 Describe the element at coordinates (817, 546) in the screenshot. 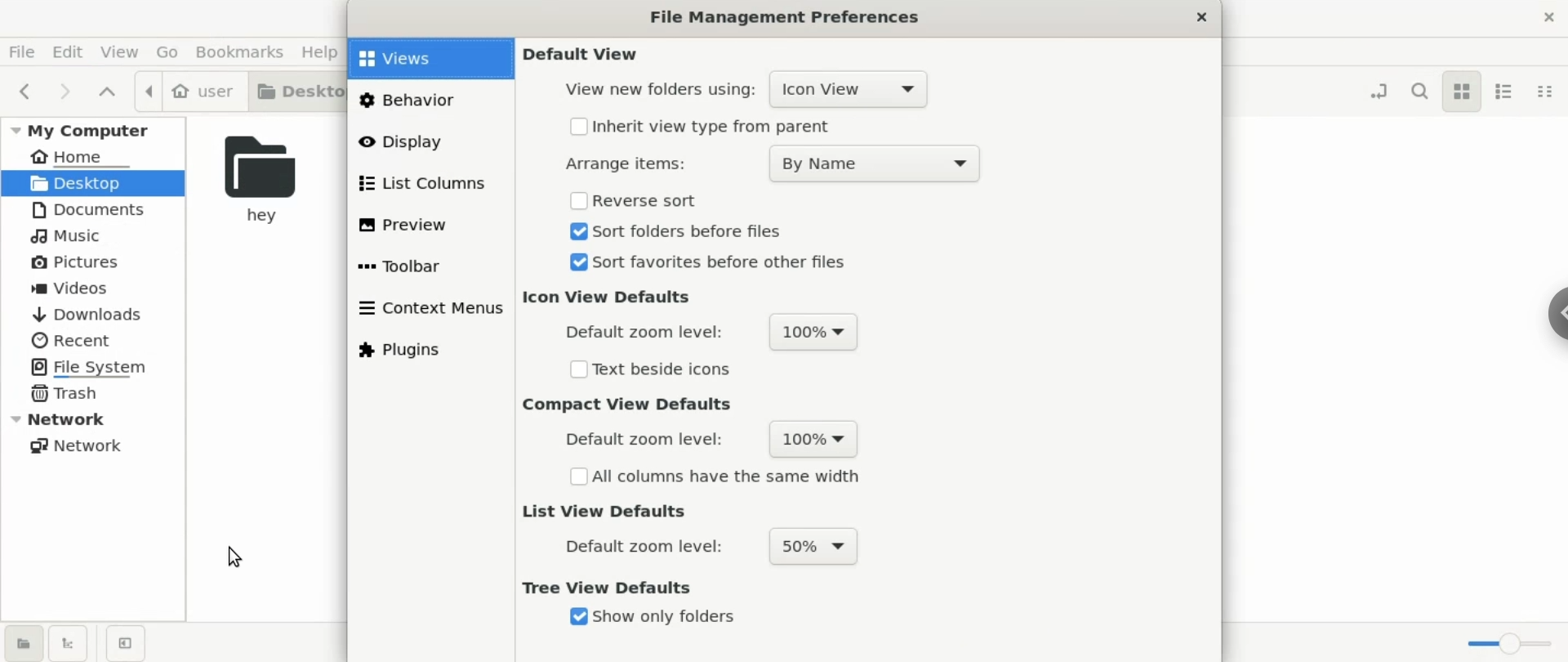

I see `50%` at that location.